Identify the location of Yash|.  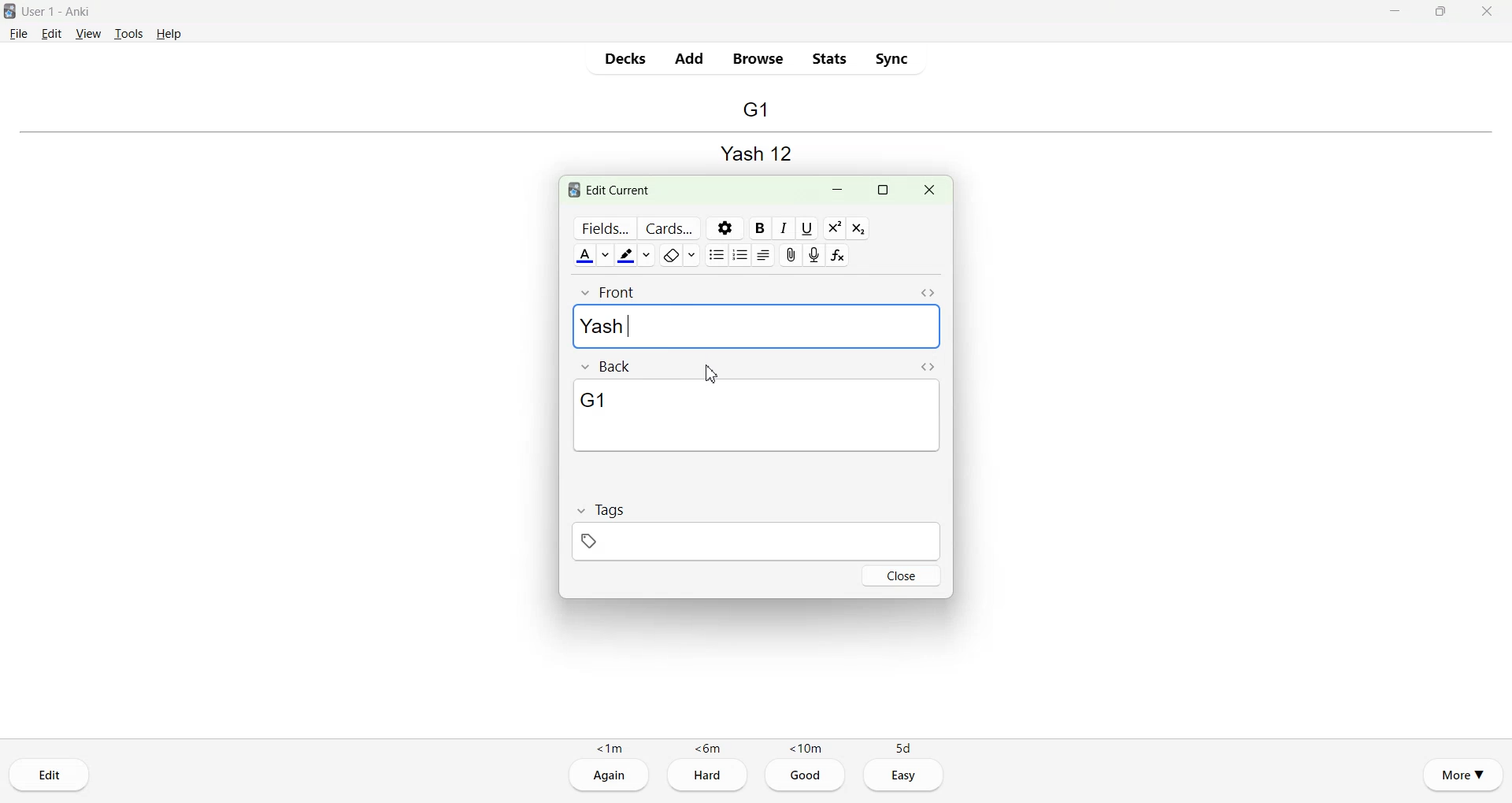
(758, 327).